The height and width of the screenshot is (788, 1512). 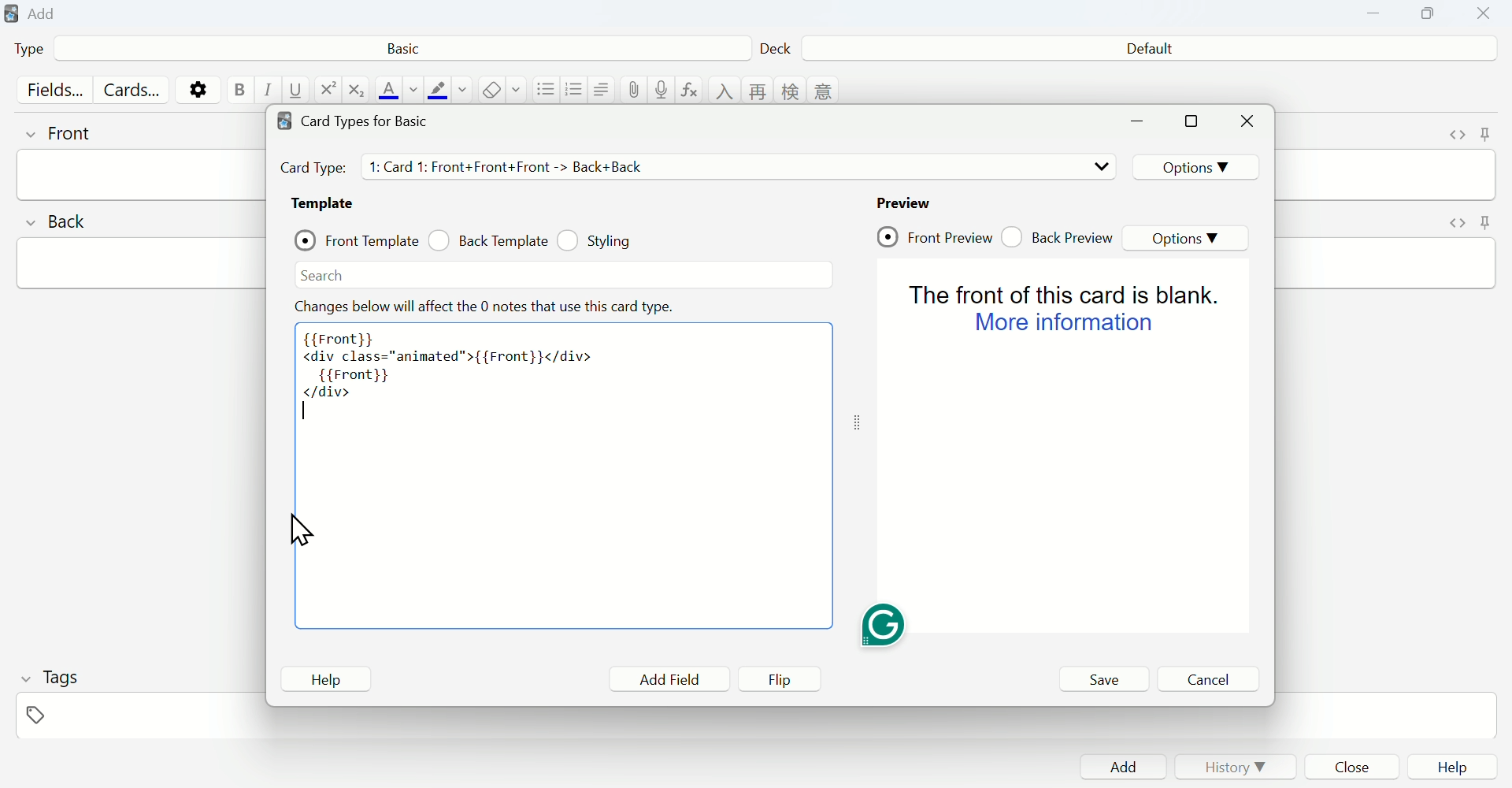 What do you see at coordinates (327, 204) in the screenshot?
I see `Template` at bounding box center [327, 204].